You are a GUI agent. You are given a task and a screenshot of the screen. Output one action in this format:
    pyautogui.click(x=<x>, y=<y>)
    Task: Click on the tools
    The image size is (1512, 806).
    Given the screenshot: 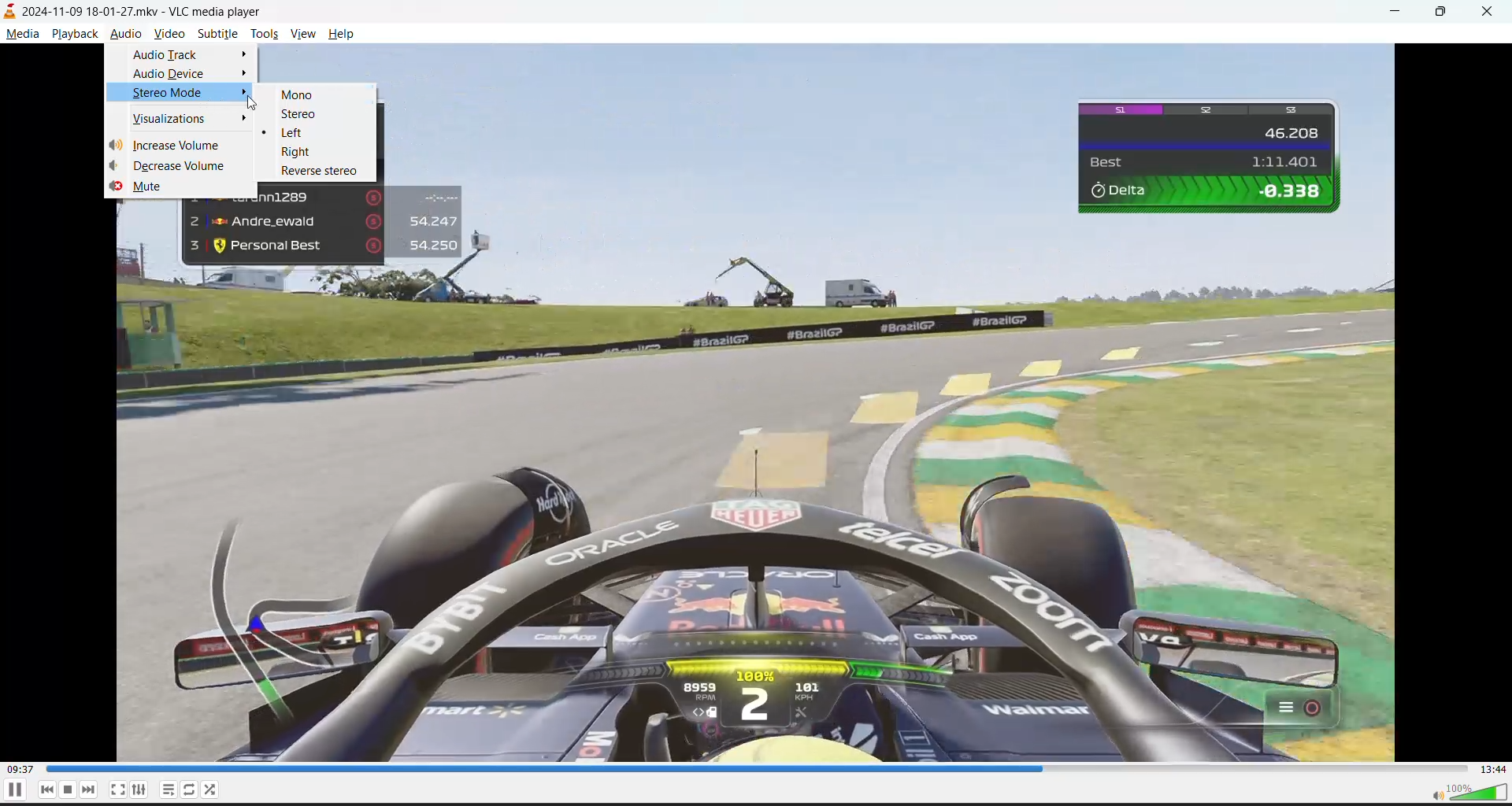 What is the action you would take?
    pyautogui.click(x=264, y=36)
    